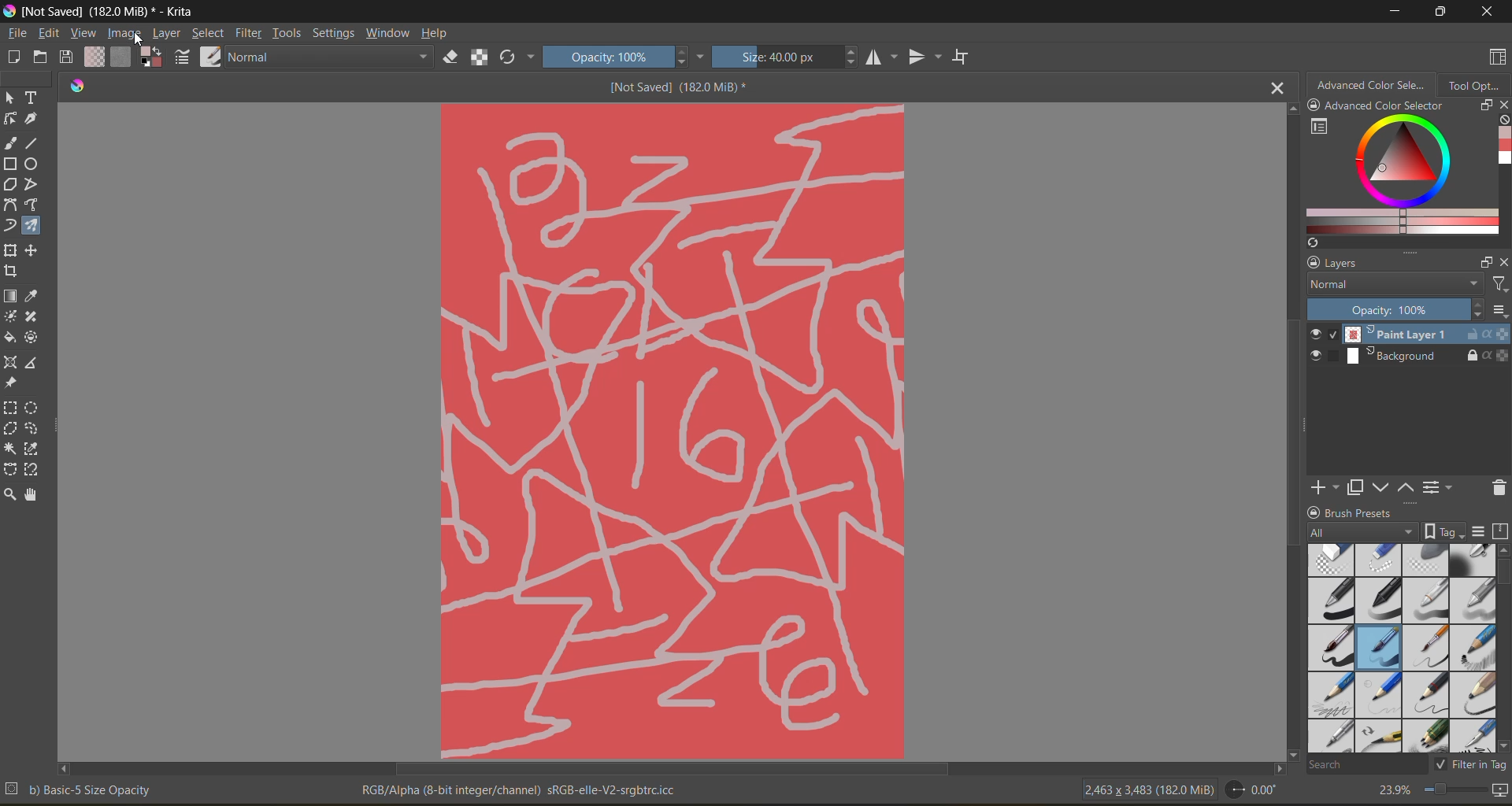 Image resolution: width=1512 pixels, height=806 pixels. I want to click on mask up, so click(1404, 488).